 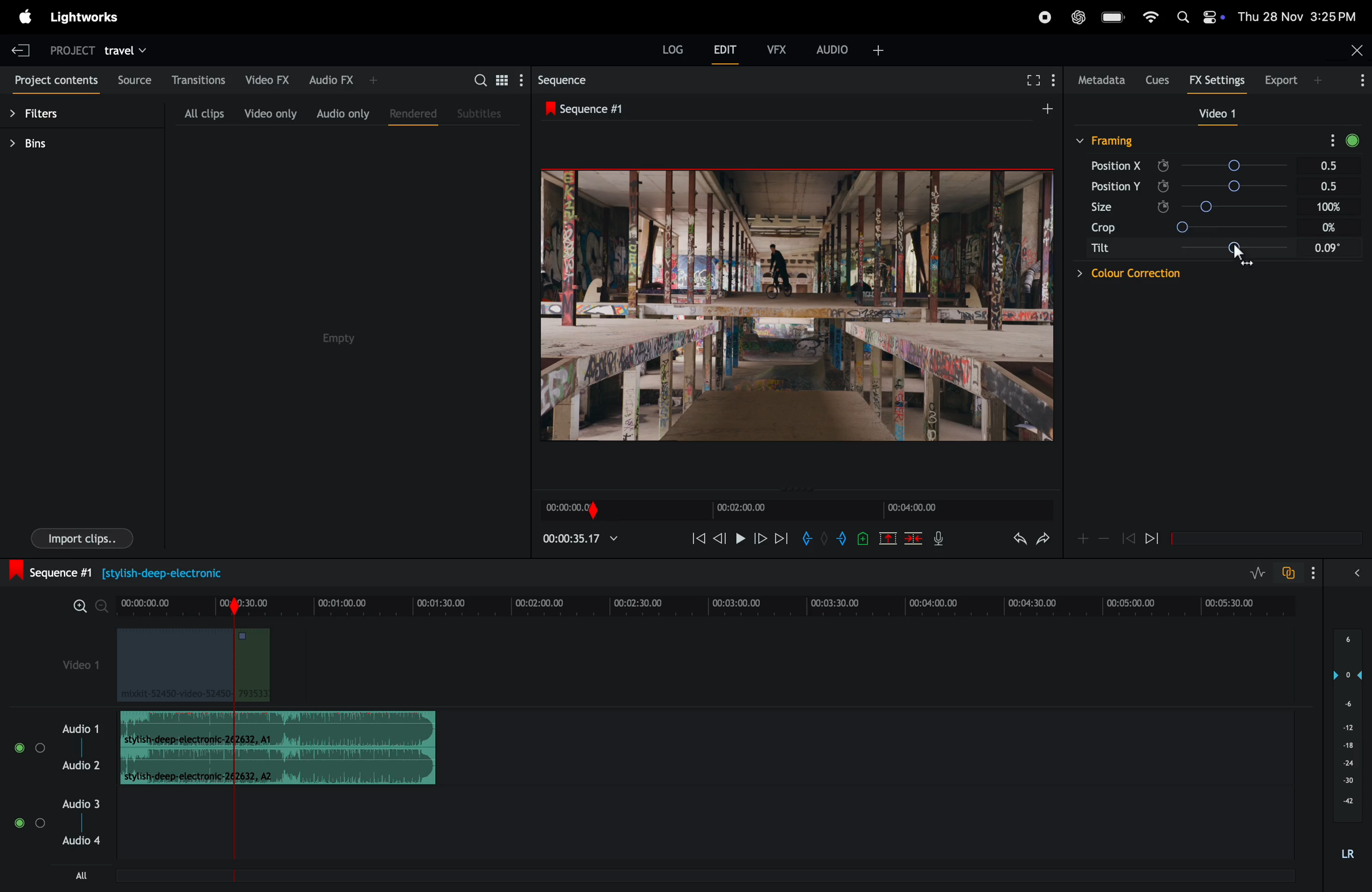 What do you see at coordinates (412, 116) in the screenshot?
I see `rendered` at bounding box center [412, 116].